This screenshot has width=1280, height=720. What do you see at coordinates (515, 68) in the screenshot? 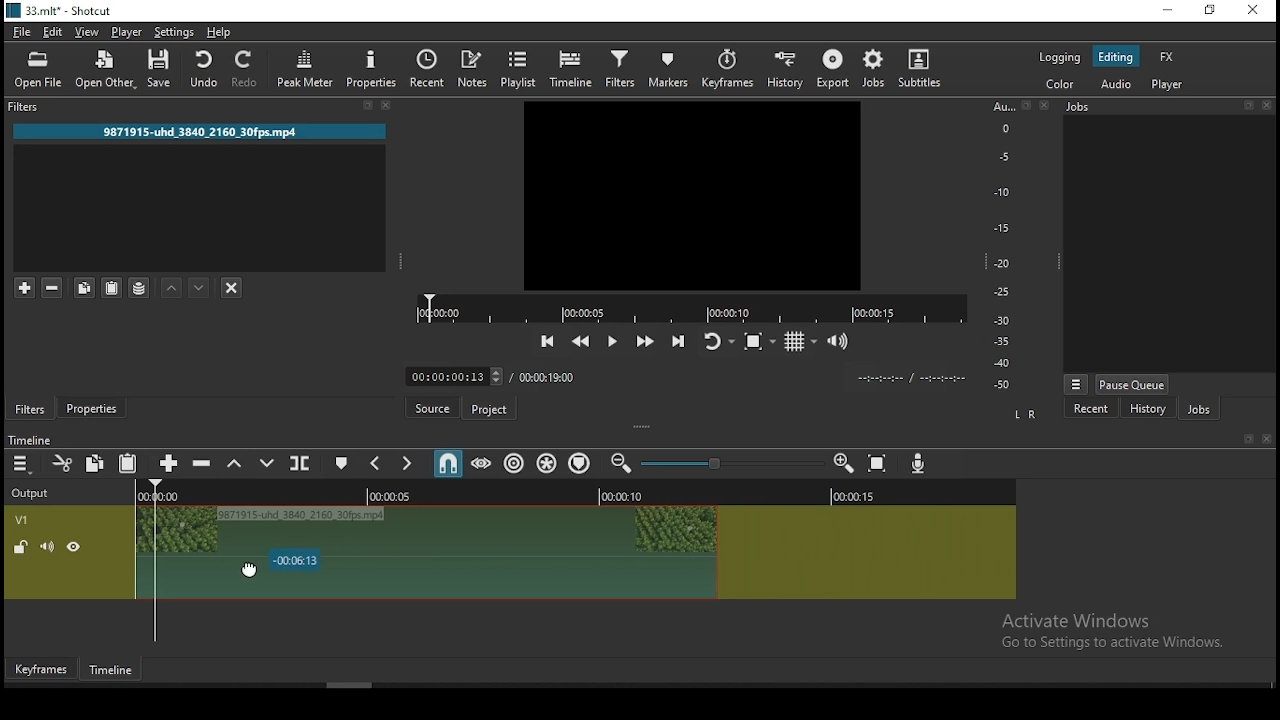
I see `playlist` at bounding box center [515, 68].